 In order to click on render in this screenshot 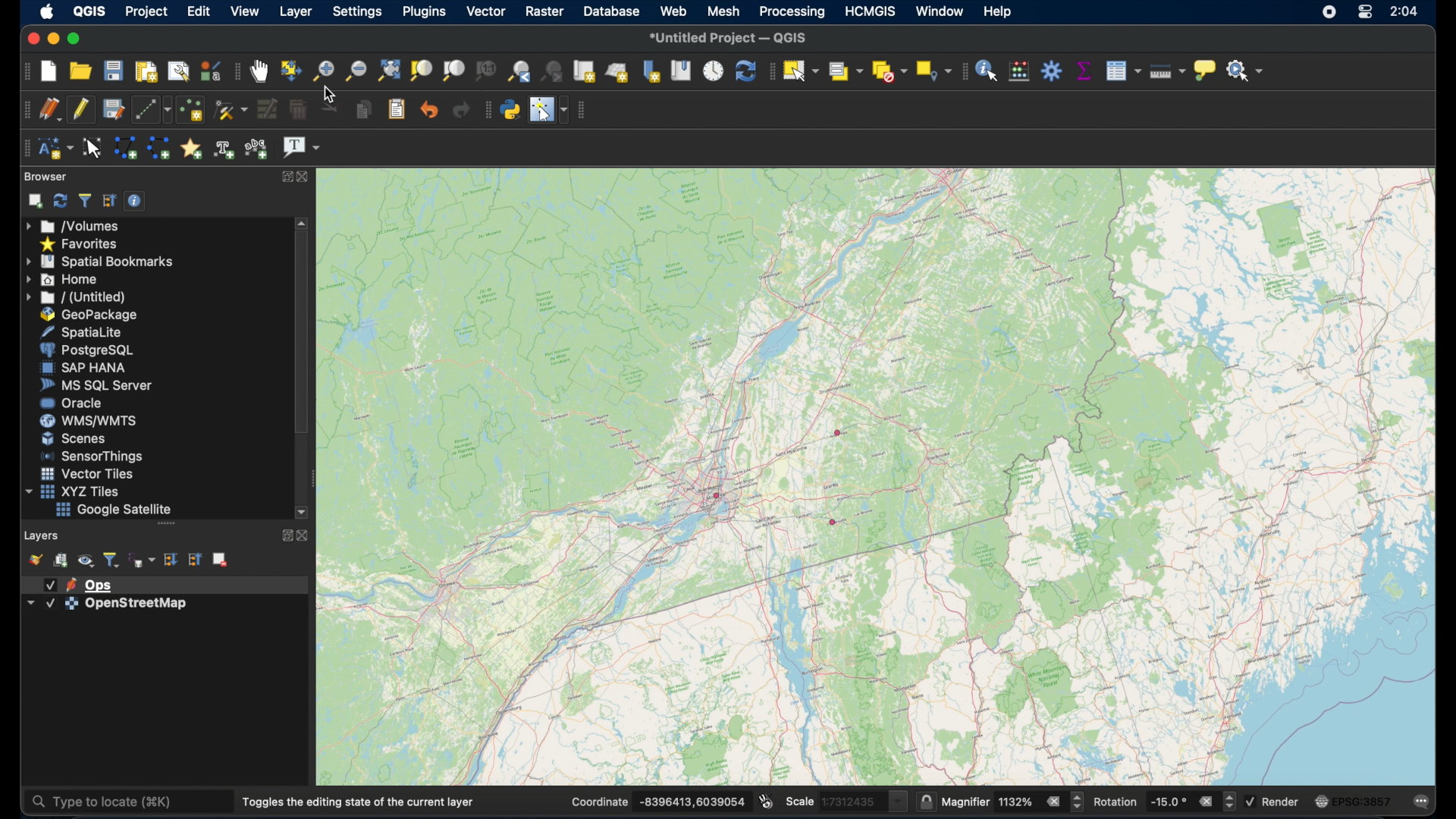, I will do `click(1275, 800)`.